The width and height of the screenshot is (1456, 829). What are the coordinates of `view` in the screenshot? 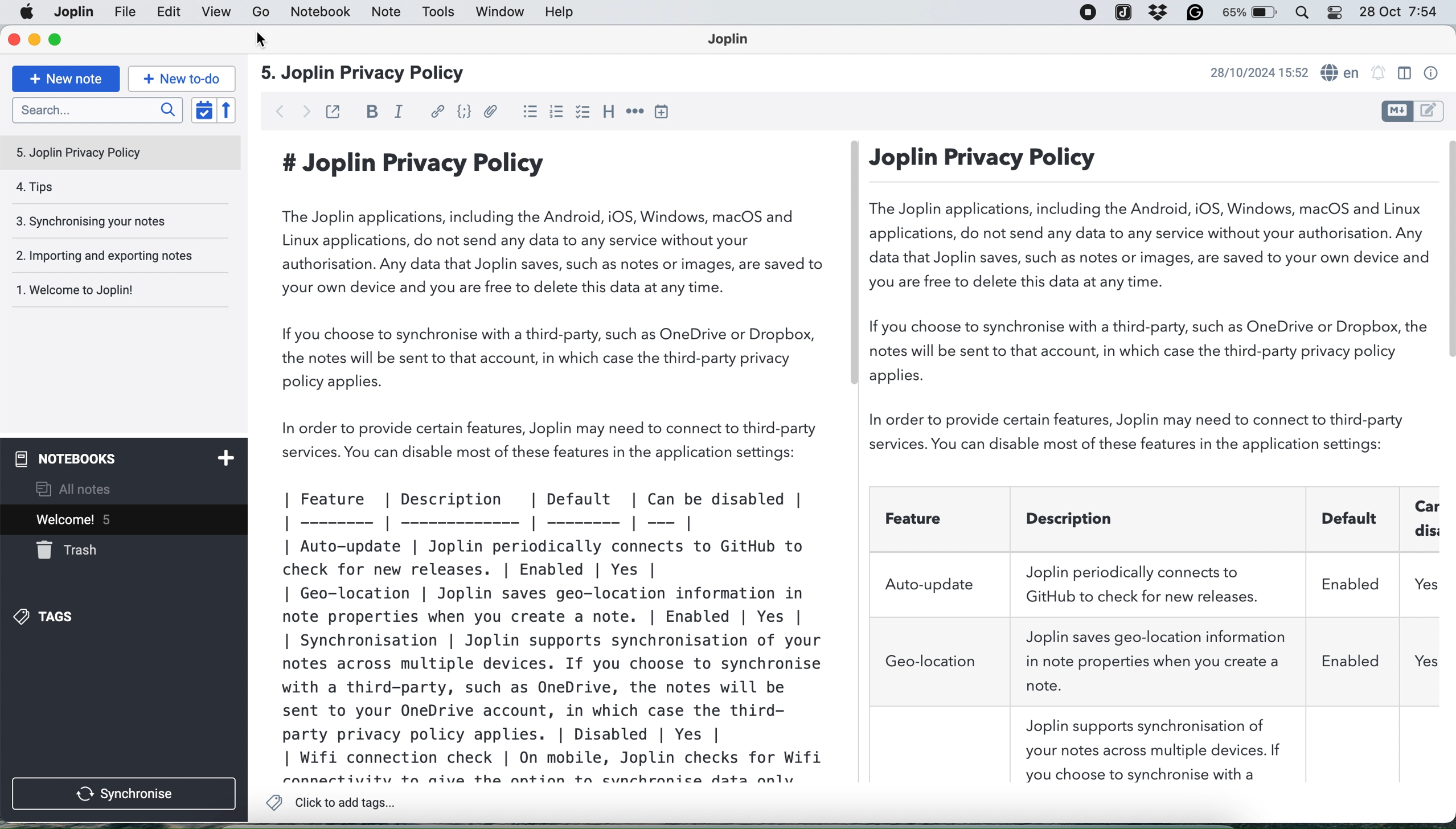 It's located at (216, 12).